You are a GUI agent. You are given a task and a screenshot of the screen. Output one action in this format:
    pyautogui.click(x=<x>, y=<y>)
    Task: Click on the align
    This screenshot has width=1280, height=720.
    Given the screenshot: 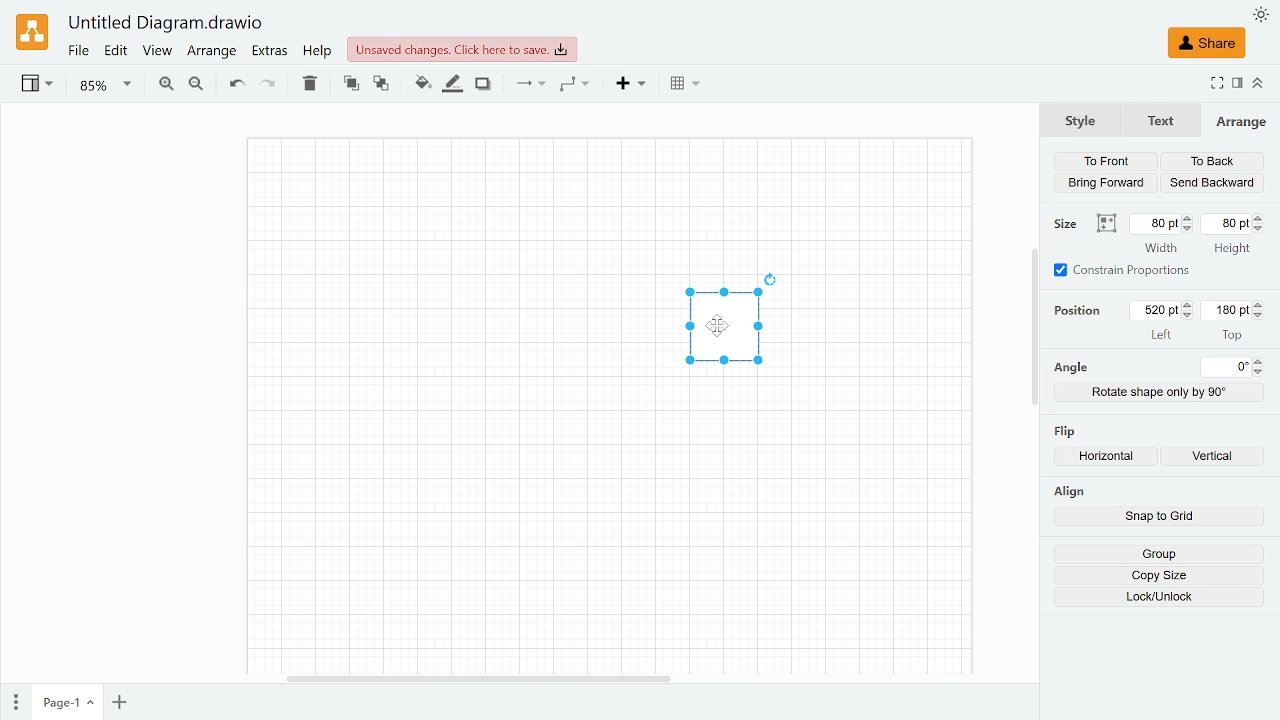 What is the action you would take?
    pyautogui.click(x=1068, y=491)
    